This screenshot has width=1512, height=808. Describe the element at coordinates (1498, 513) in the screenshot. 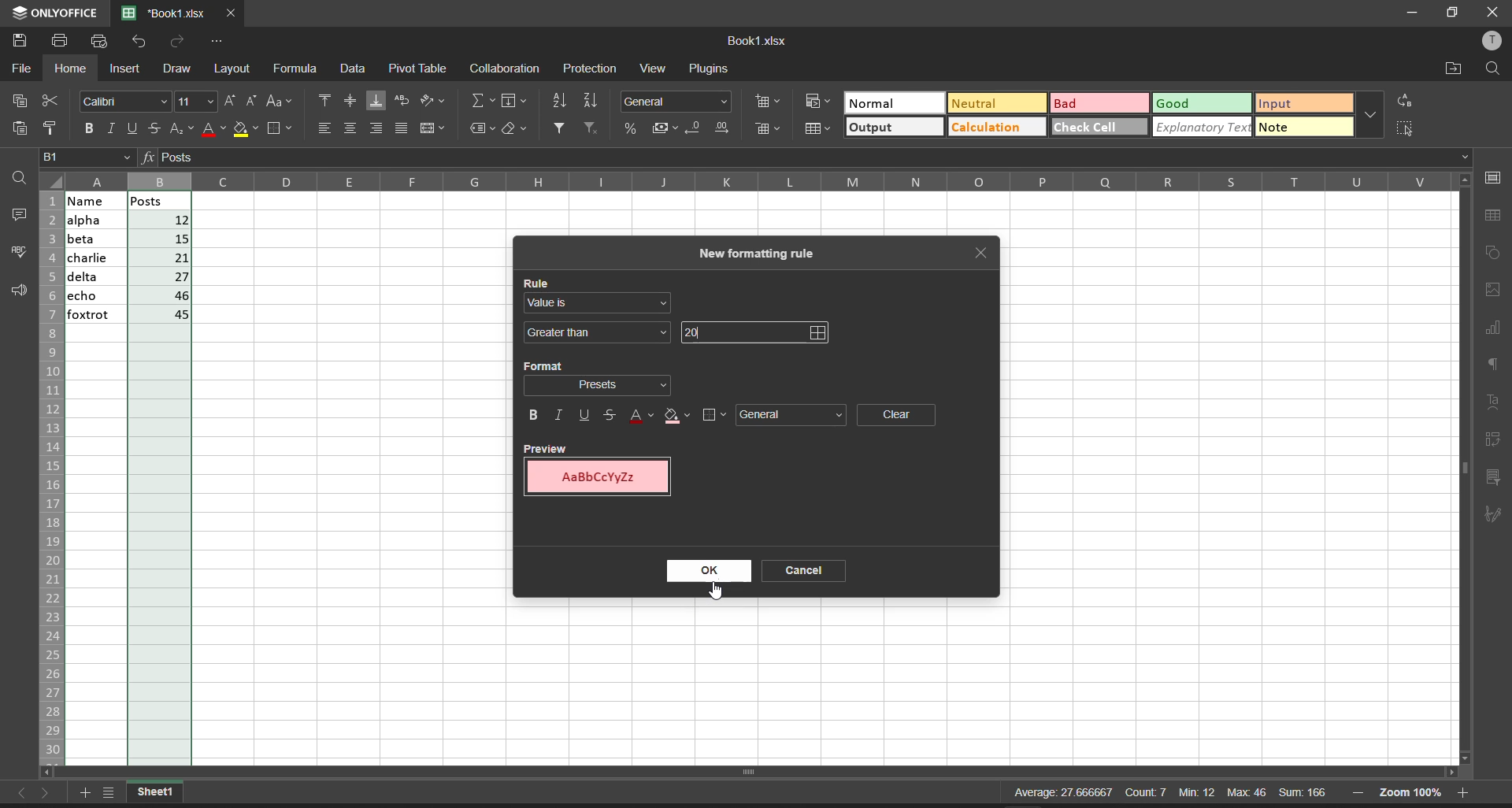

I see `signature settings` at that location.